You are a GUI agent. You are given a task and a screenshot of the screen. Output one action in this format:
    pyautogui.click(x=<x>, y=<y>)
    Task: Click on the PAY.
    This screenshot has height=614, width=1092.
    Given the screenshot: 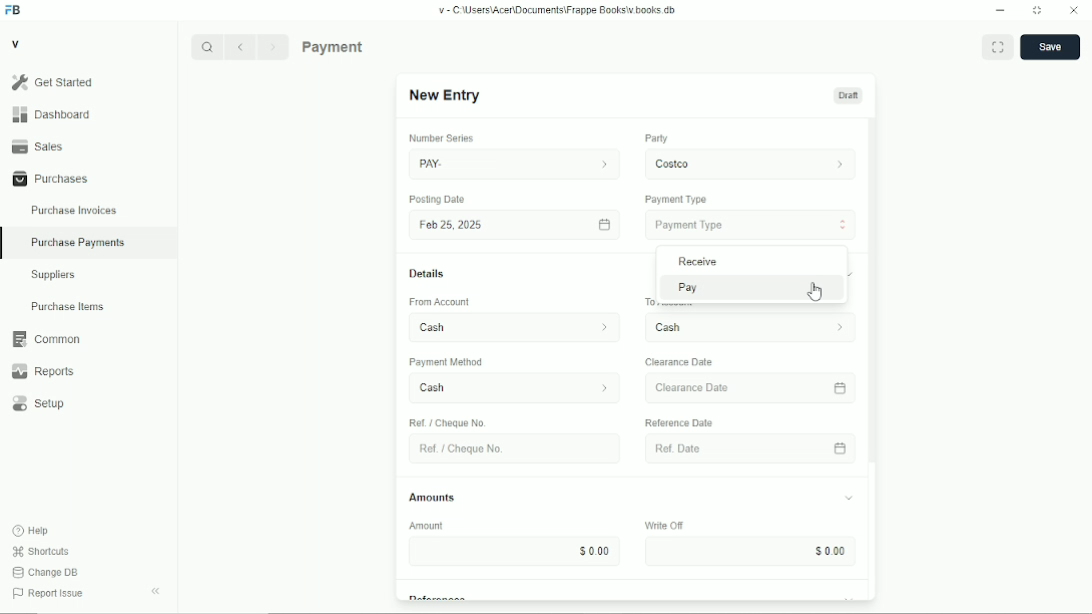 What is the action you would take?
    pyautogui.click(x=515, y=161)
    